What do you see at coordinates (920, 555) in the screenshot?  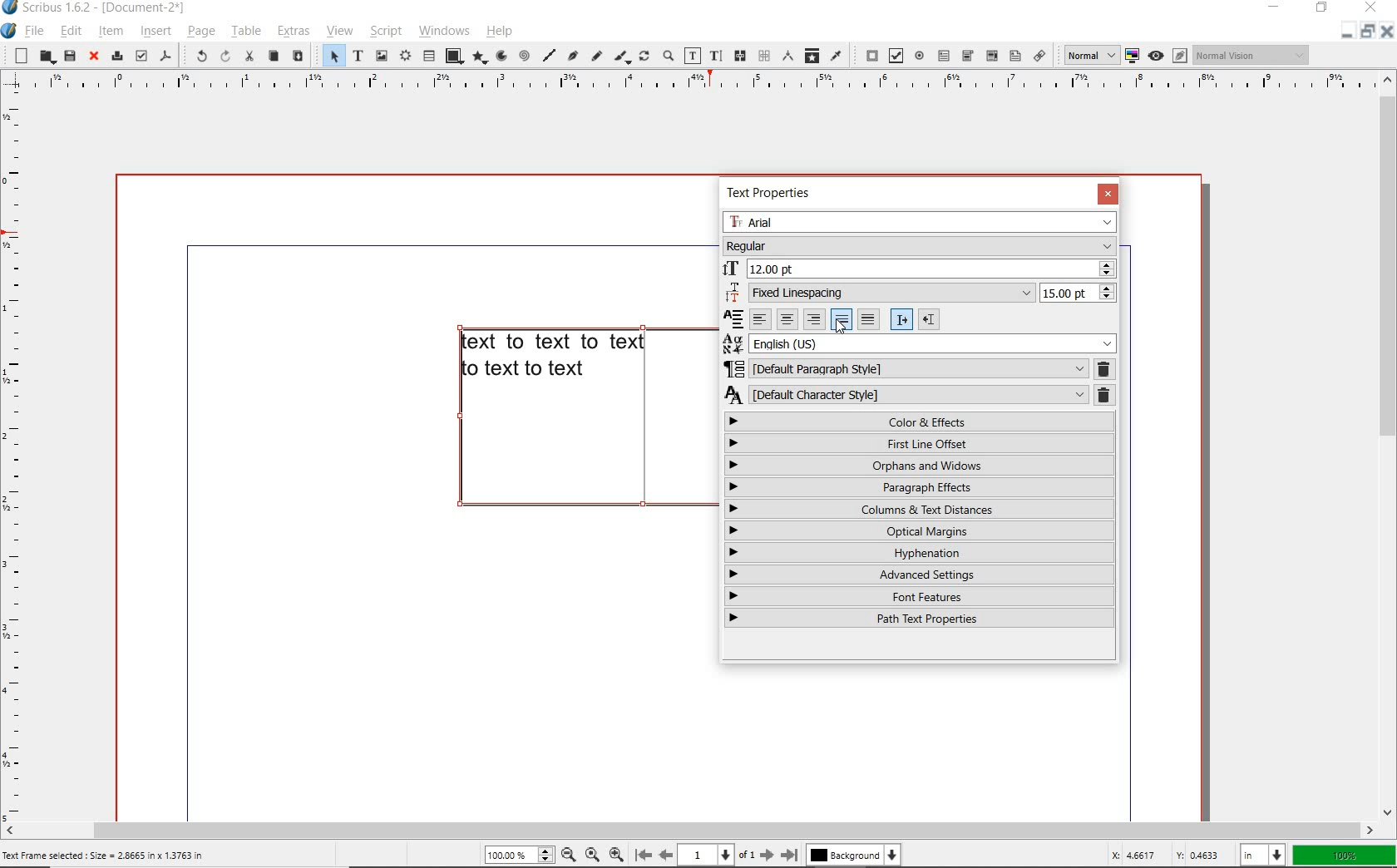 I see `HYPHENATION` at bounding box center [920, 555].